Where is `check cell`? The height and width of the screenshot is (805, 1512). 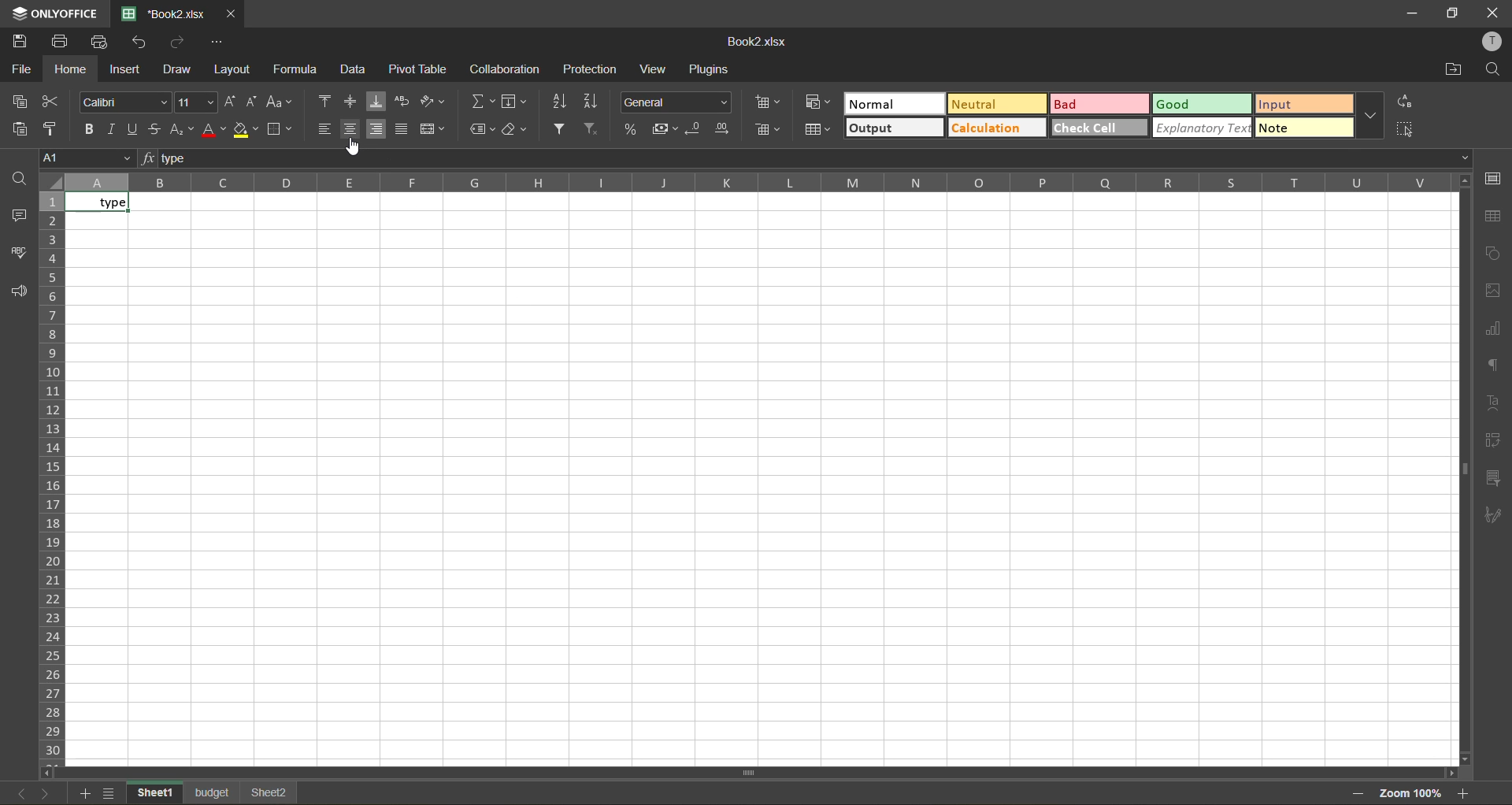 check cell is located at coordinates (1099, 128).